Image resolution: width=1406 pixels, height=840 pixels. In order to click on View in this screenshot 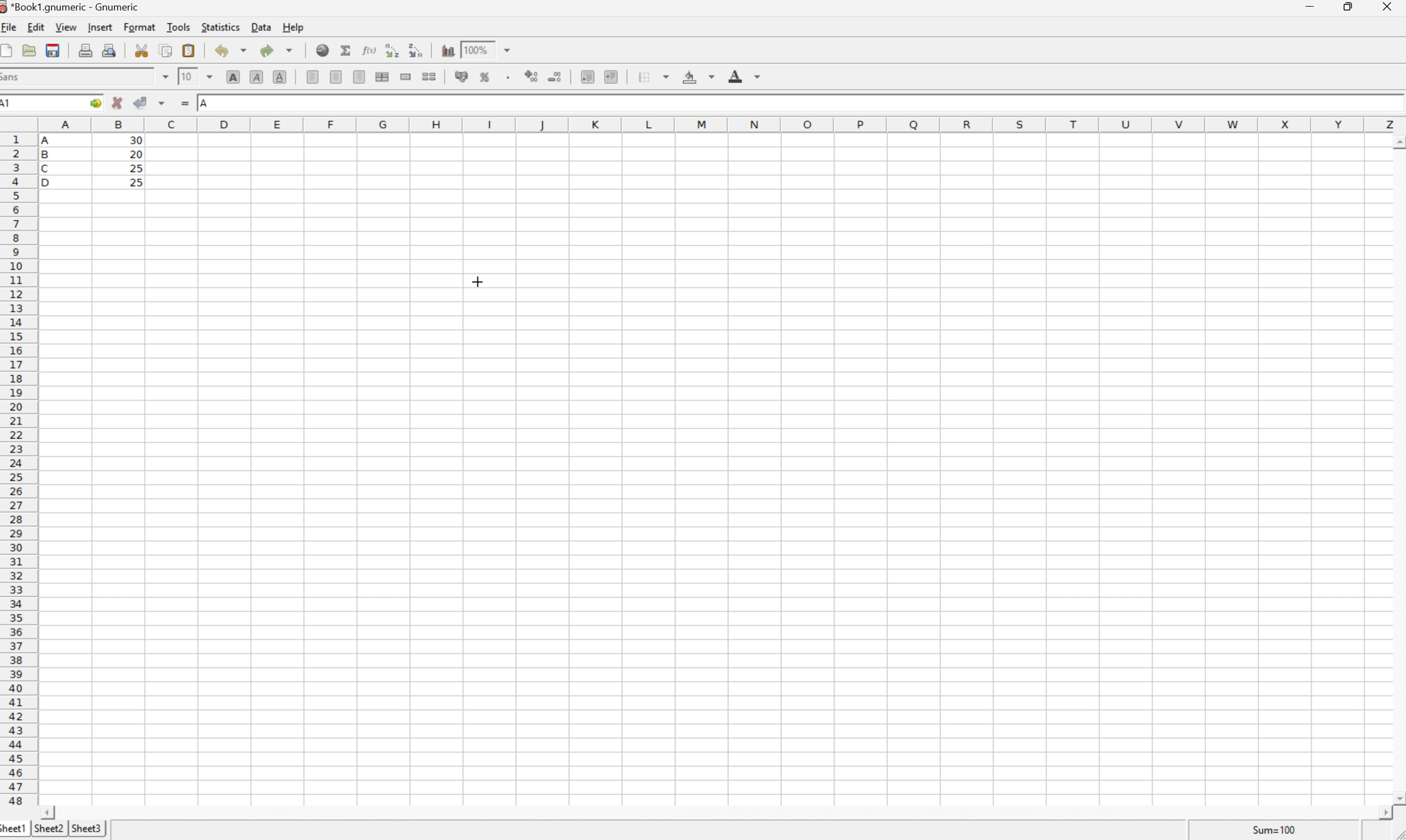, I will do `click(67, 27)`.